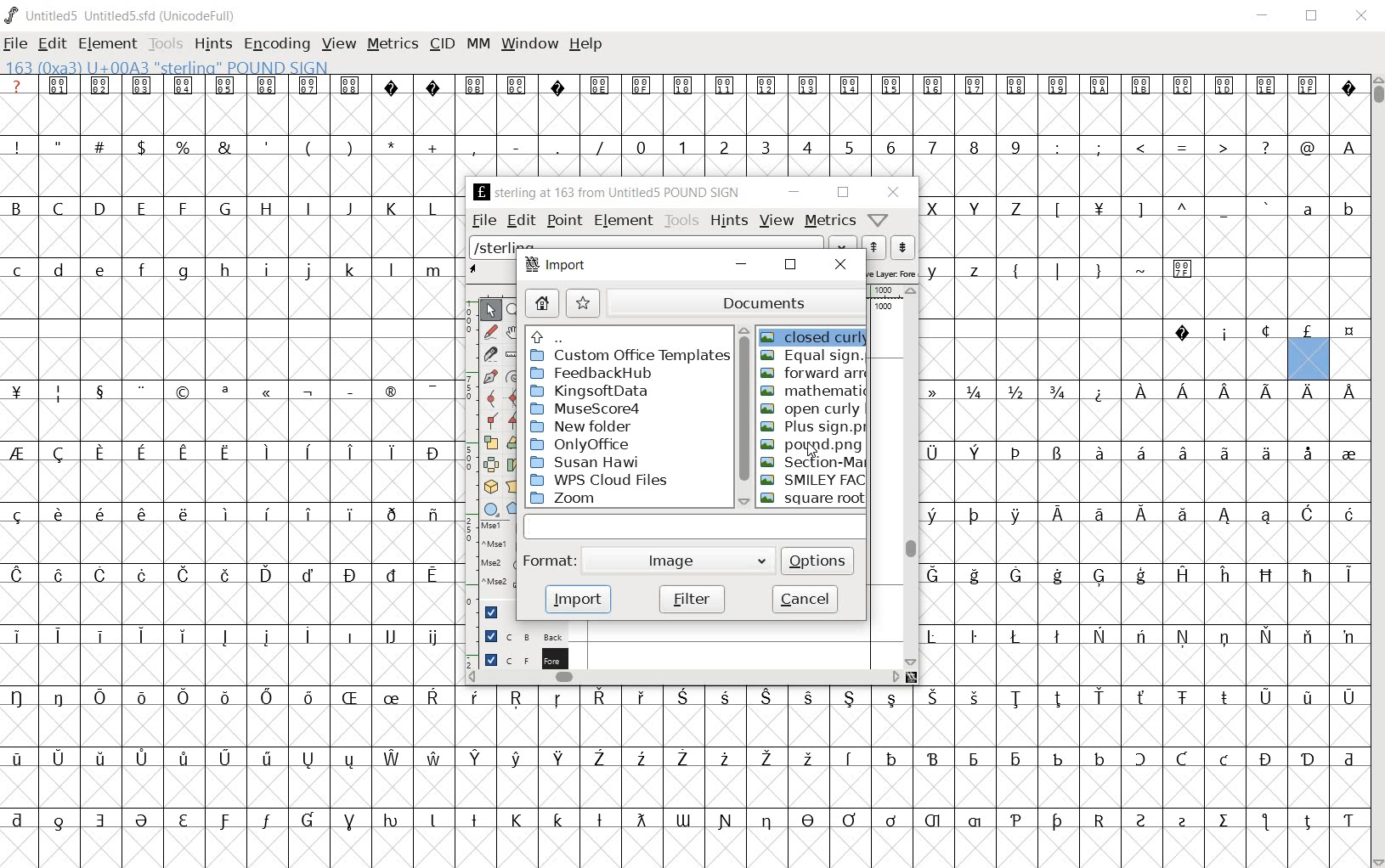  I want to click on Symbol, so click(224, 821).